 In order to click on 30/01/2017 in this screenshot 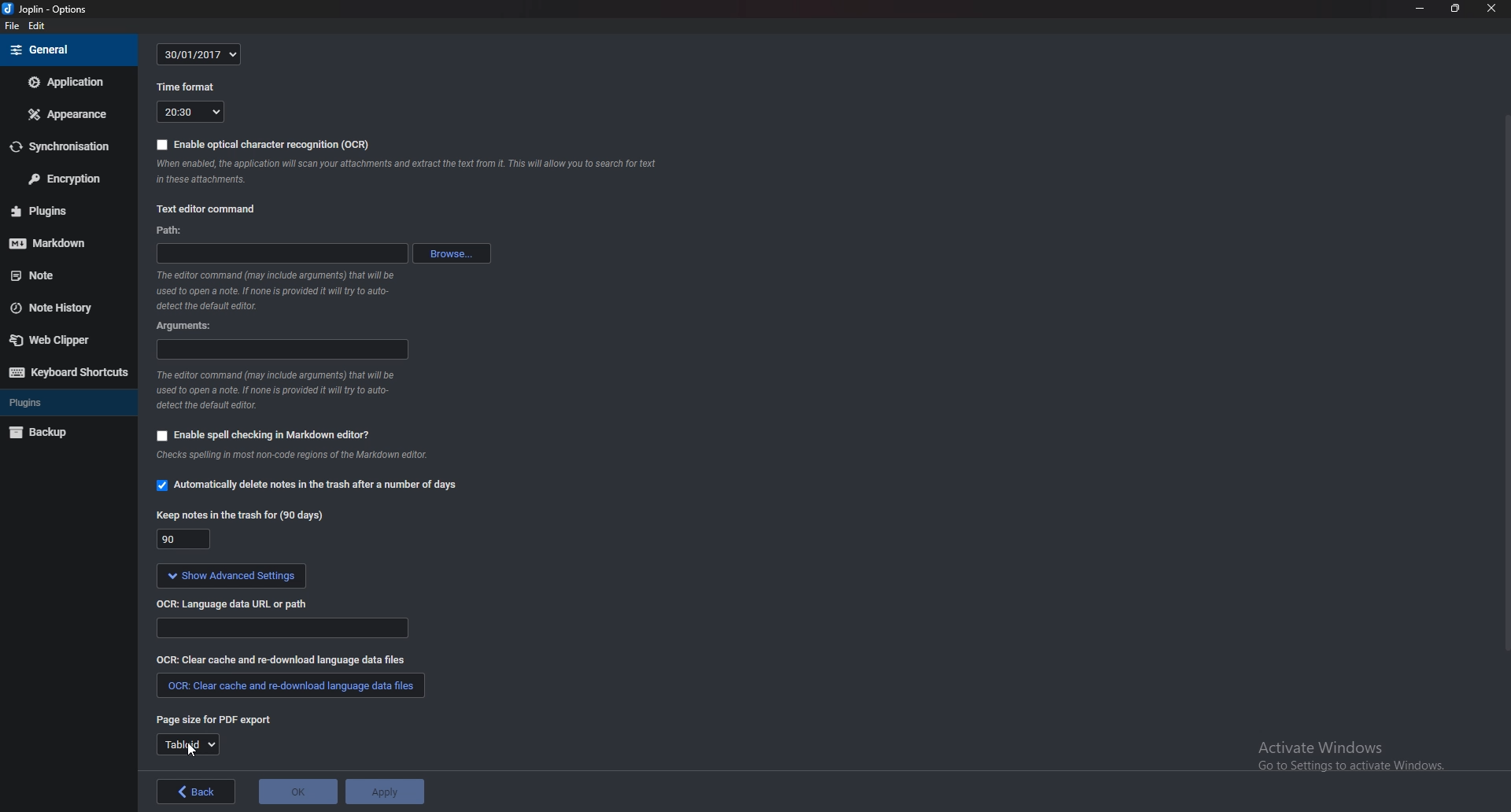, I will do `click(201, 54)`.